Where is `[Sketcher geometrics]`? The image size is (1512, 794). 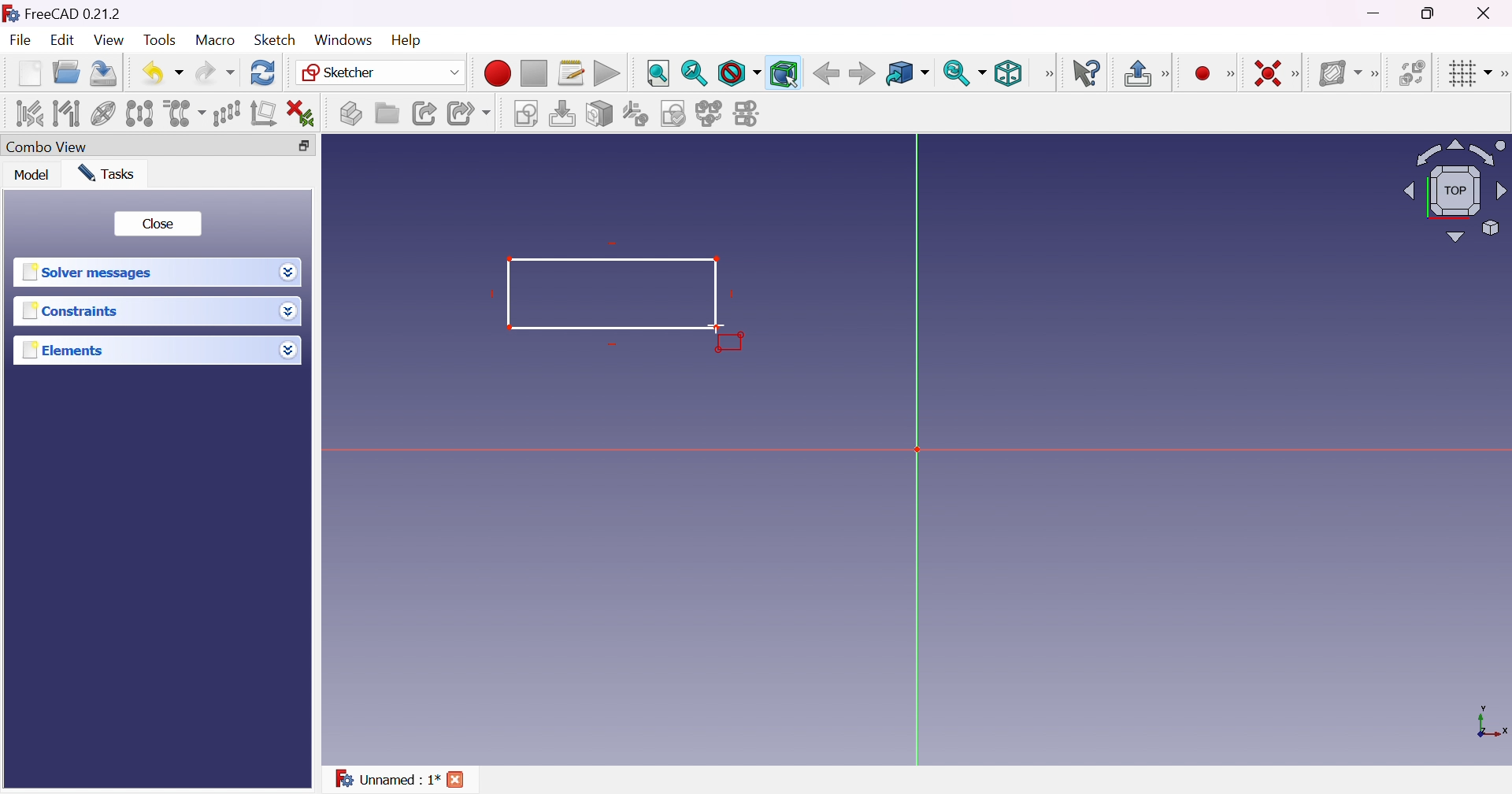
[Sketcher geometrics] is located at coordinates (1231, 72).